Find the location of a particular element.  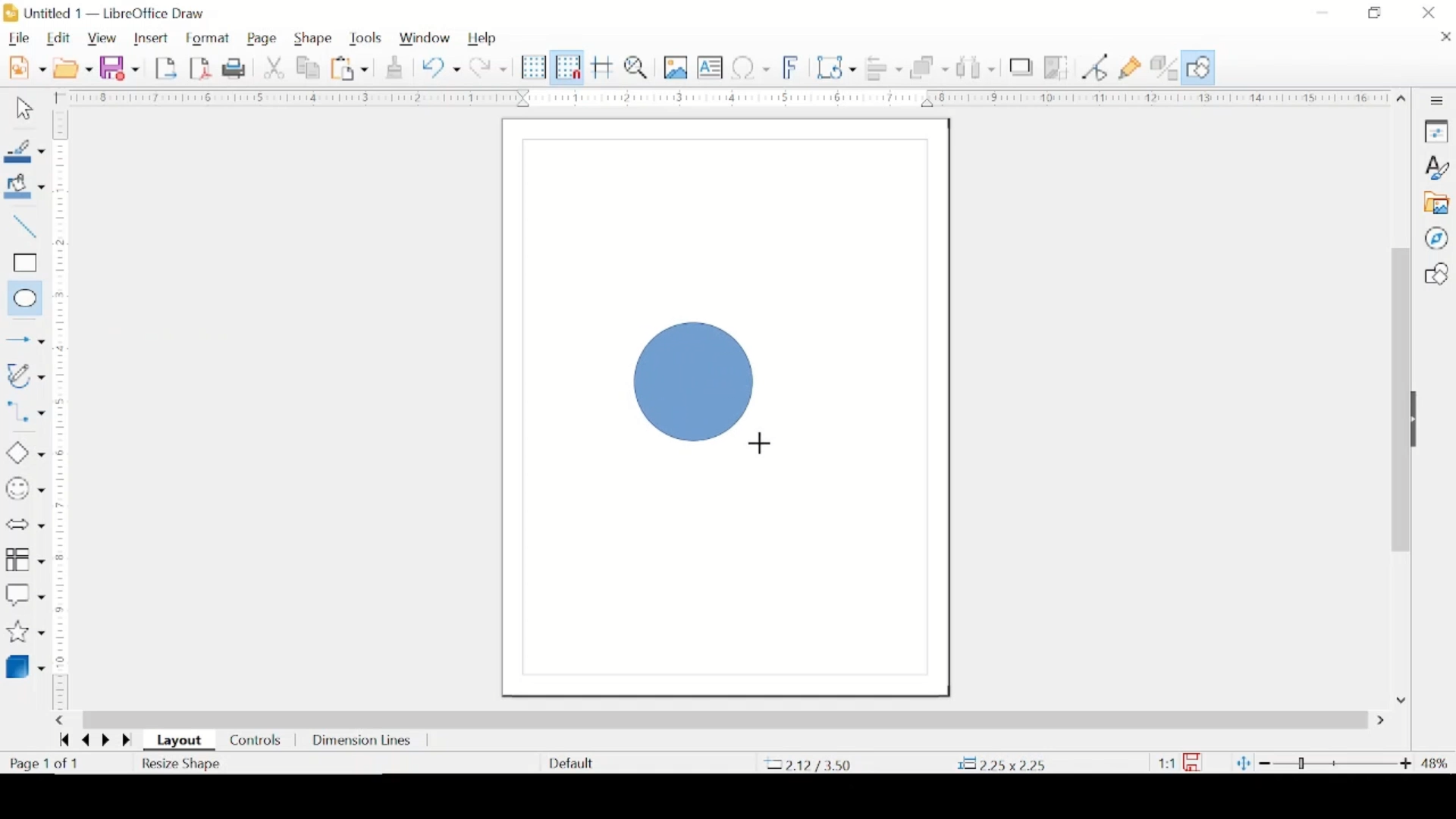

show draw functions is located at coordinates (1200, 67).